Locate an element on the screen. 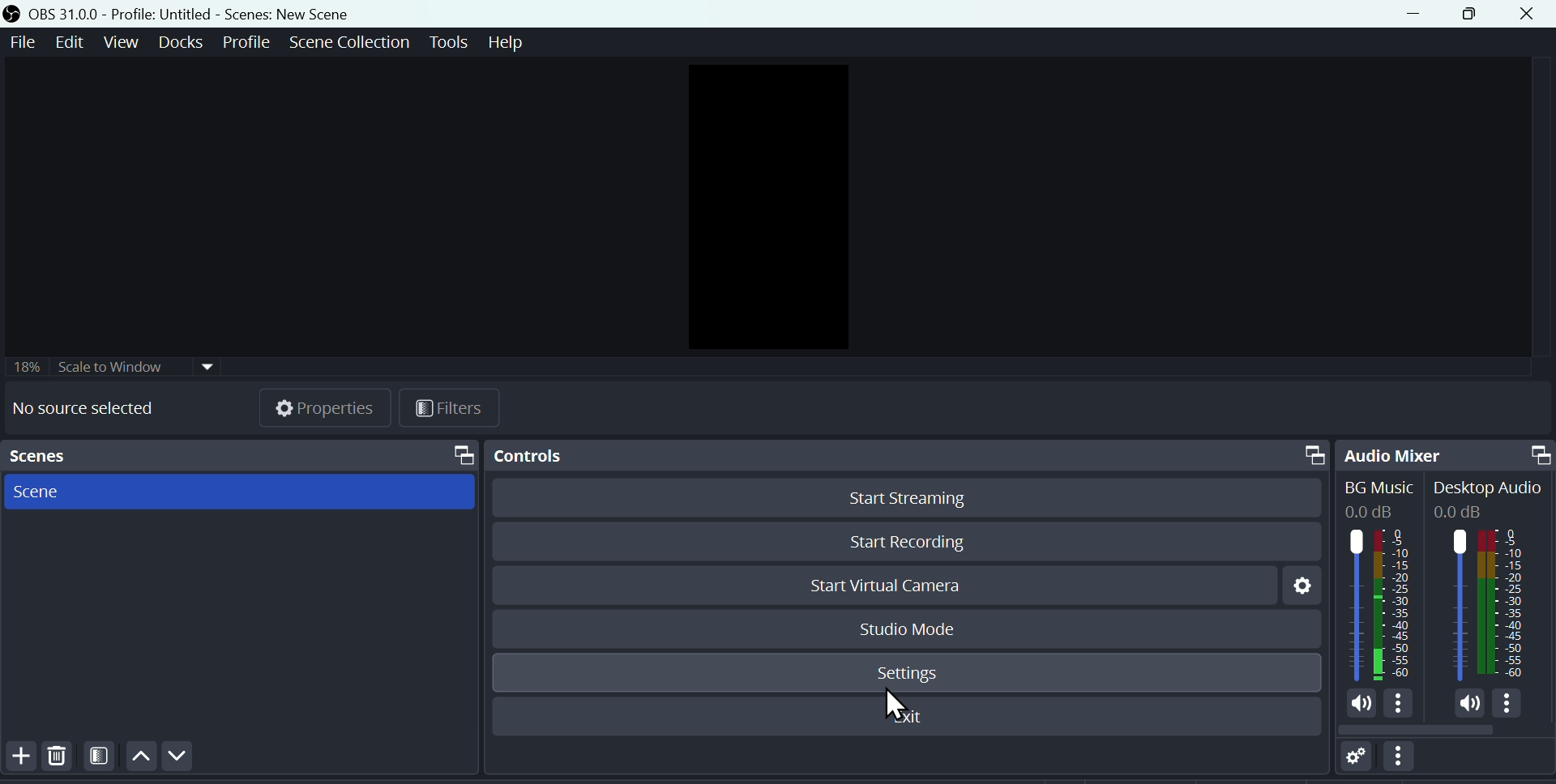  Filters is located at coordinates (104, 761).